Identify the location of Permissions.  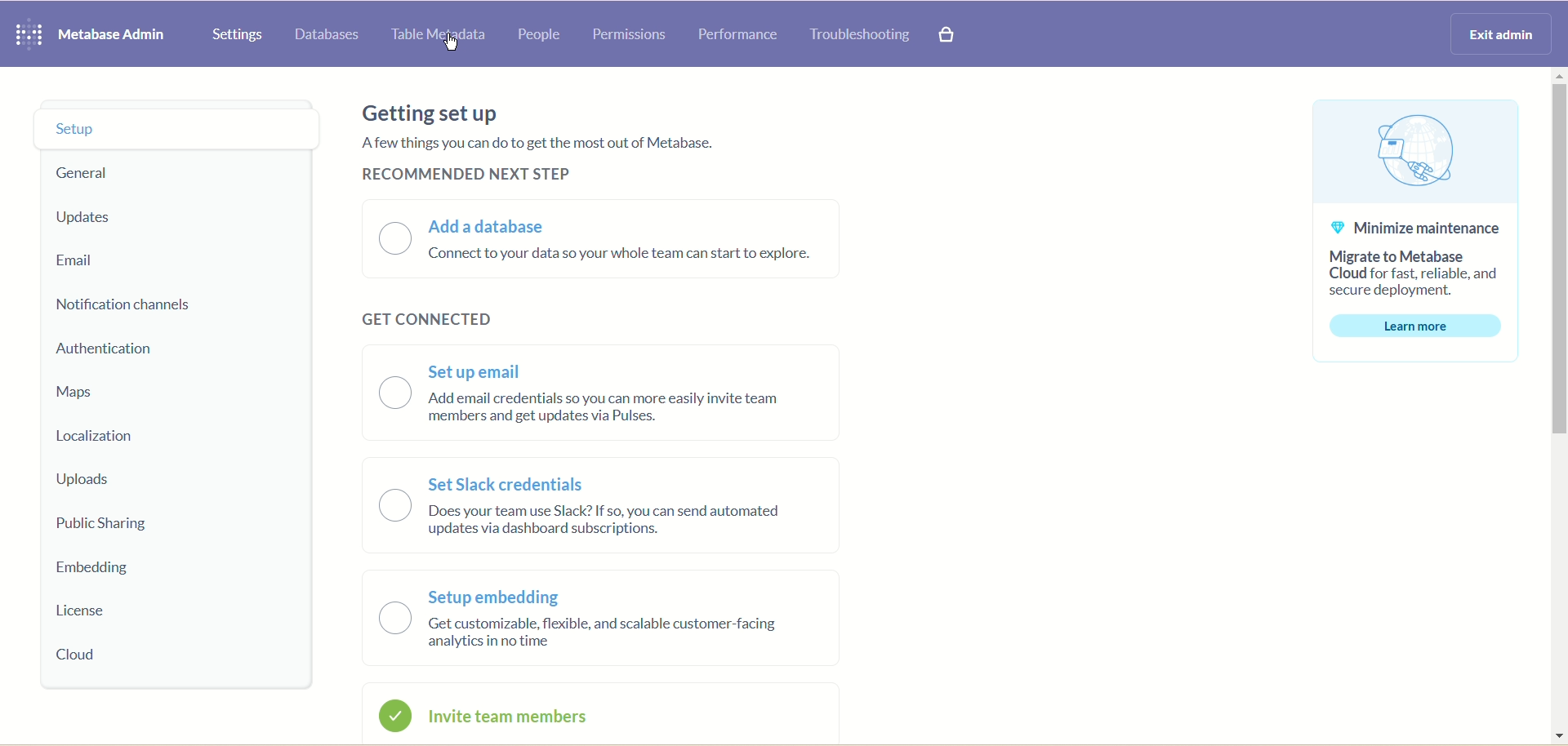
(635, 37).